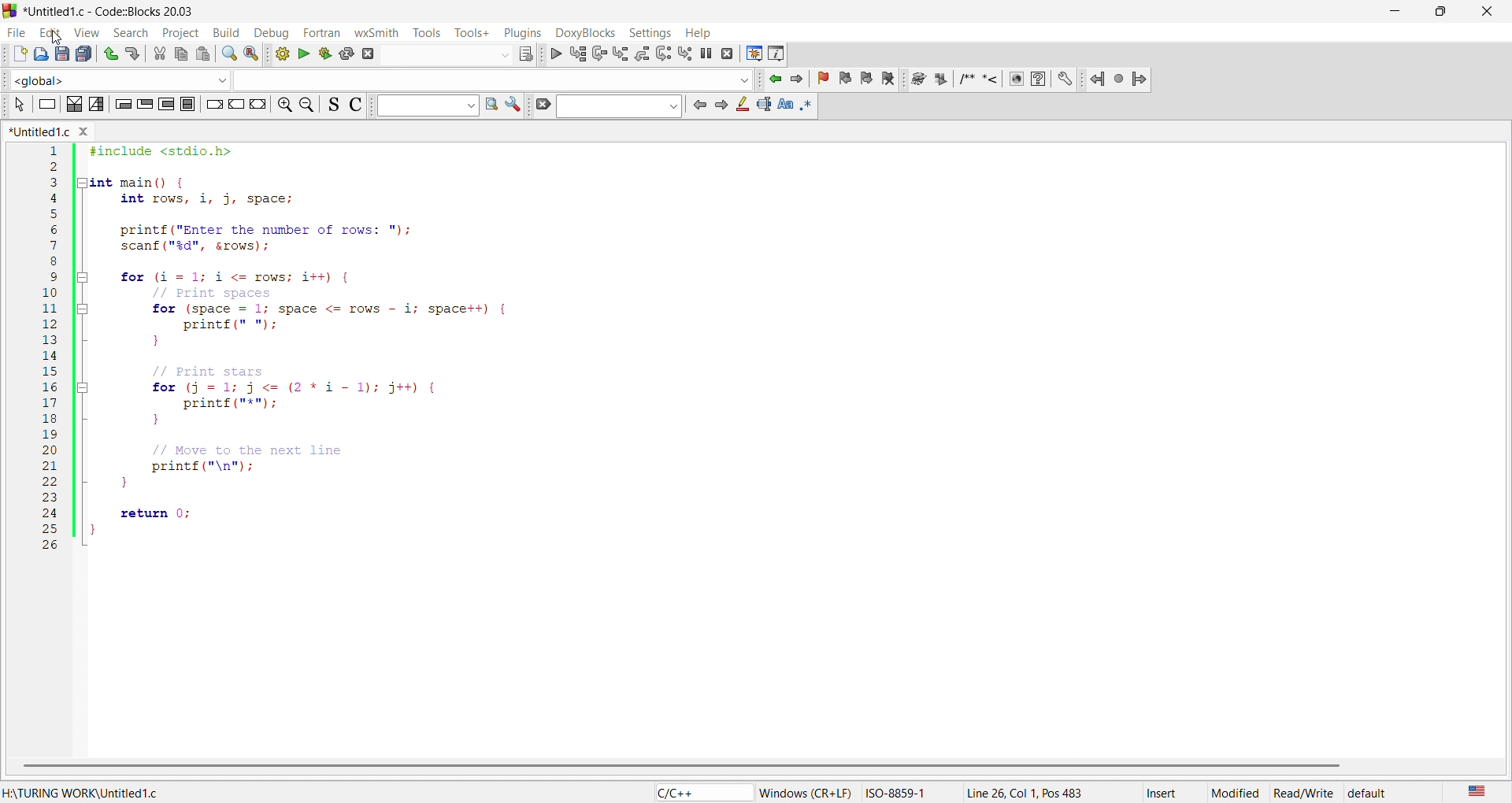  Describe the element at coordinates (17, 30) in the screenshot. I see `file` at that location.